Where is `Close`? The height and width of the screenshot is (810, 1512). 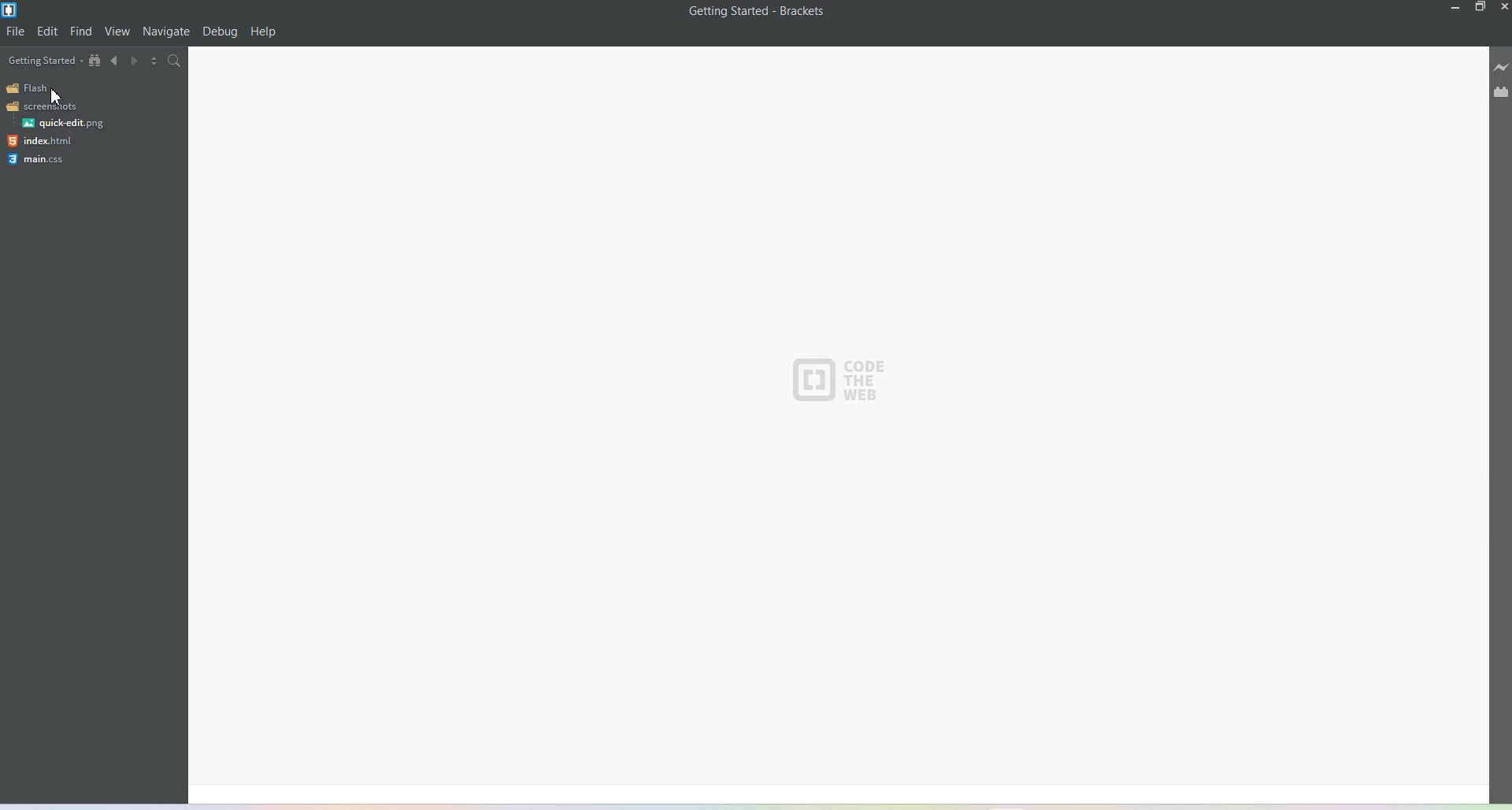
Close is located at coordinates (1503, 7).